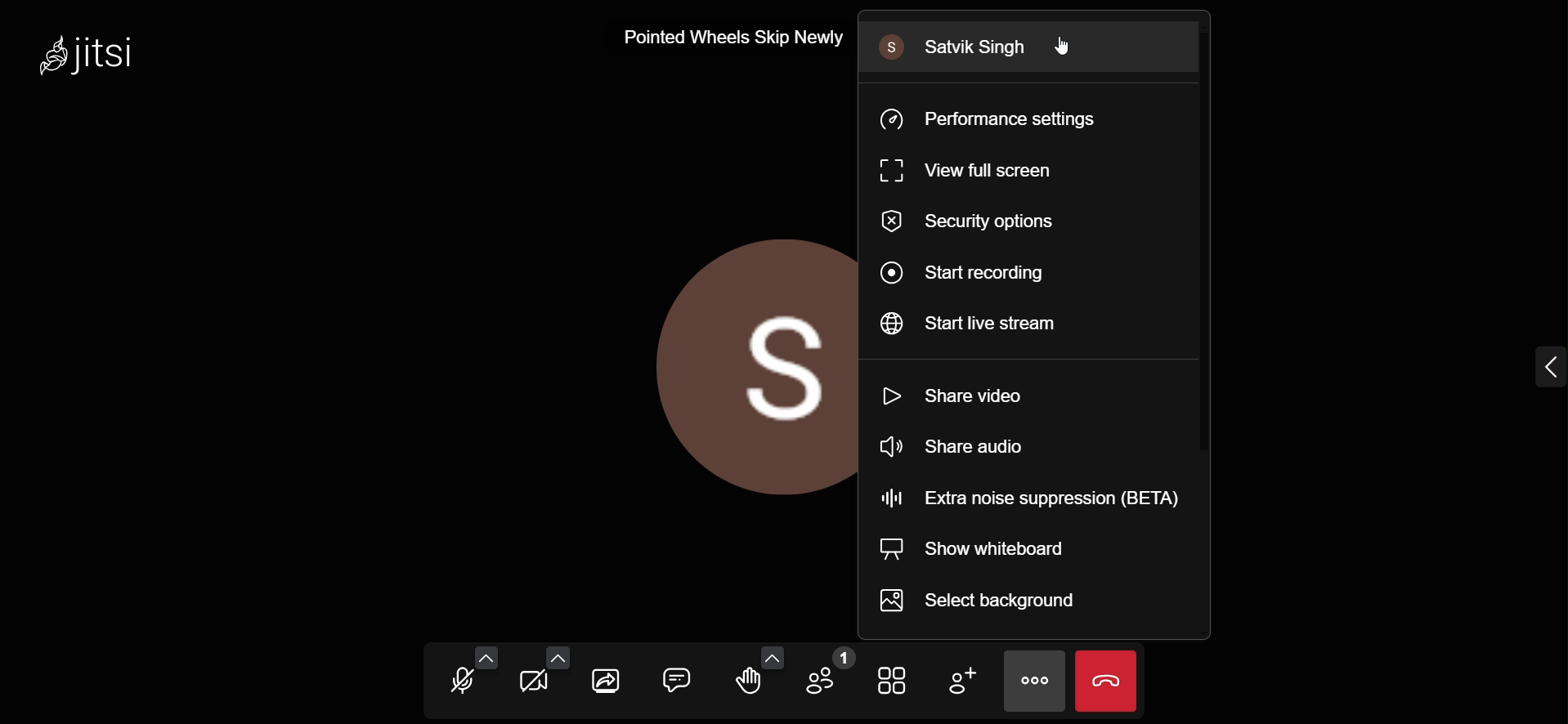  What do you see at coordinates (1109, 680) in the screenshot?
I see `end meeting` at bounding box center [1109, 680].